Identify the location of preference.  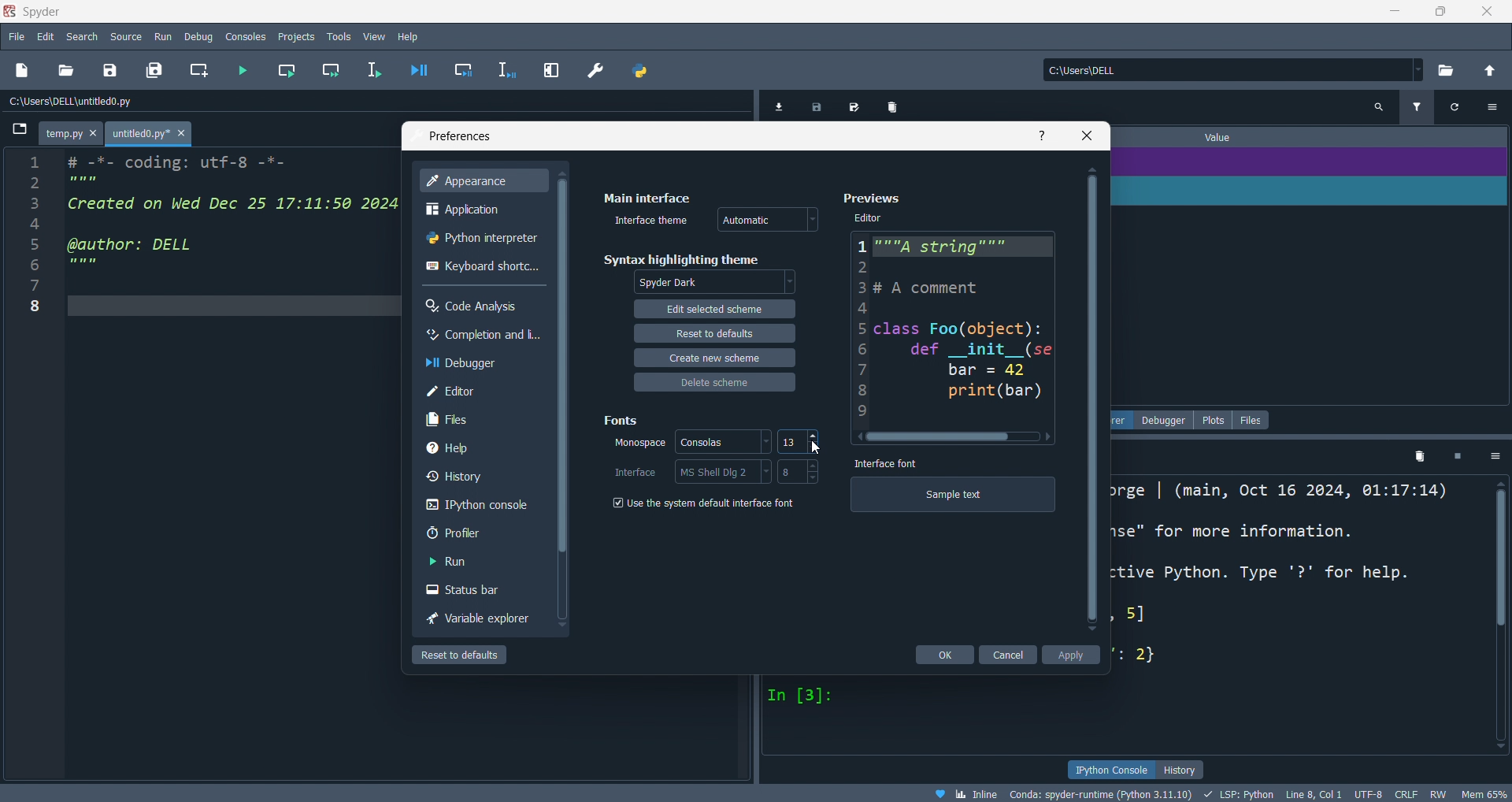
(598, 70).